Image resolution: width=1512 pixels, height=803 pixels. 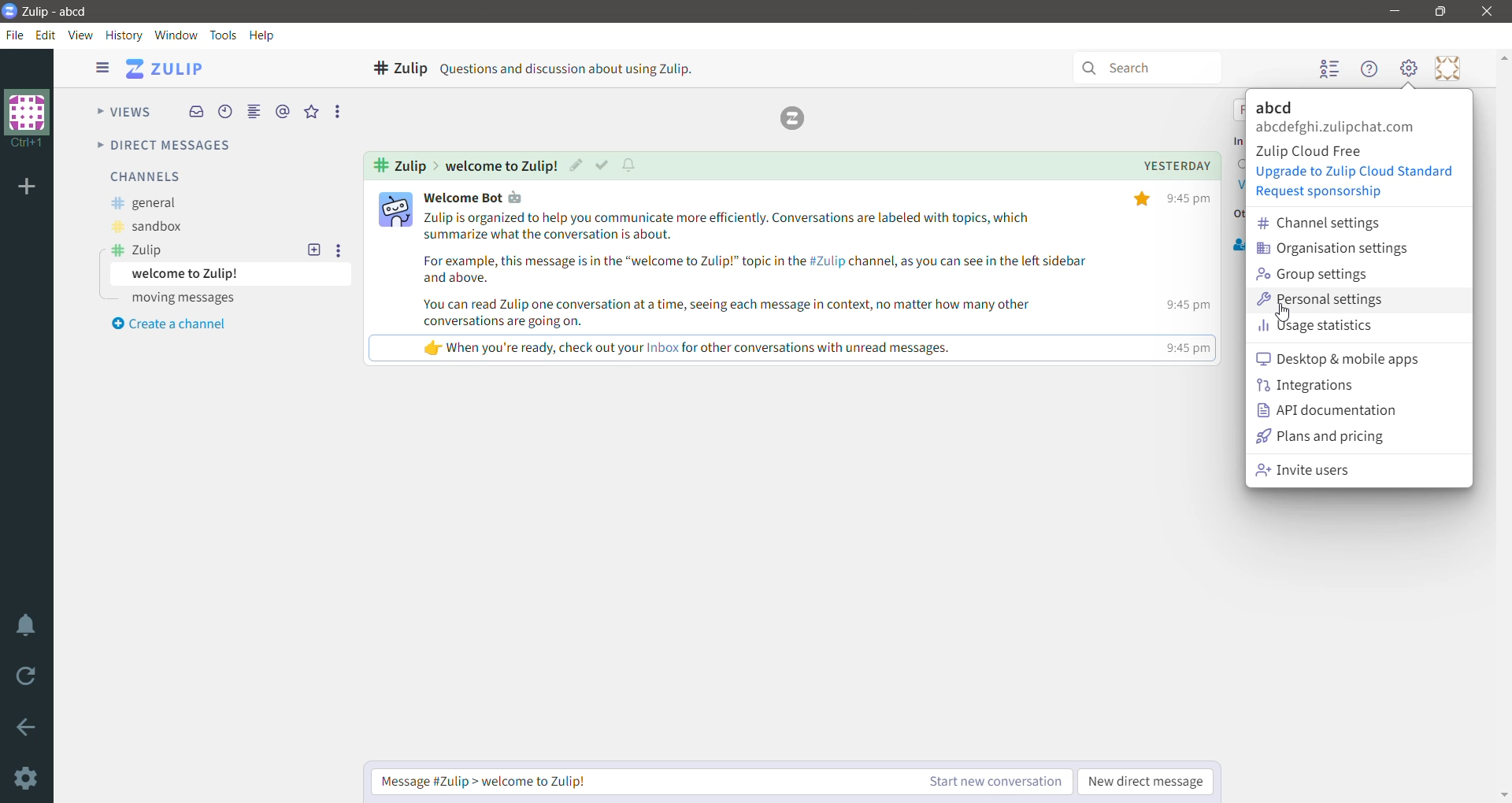 What do you see at coordinates (1448, 68) in the screenshot?
I see `Personal menu` at bounding box center [1448, 68].